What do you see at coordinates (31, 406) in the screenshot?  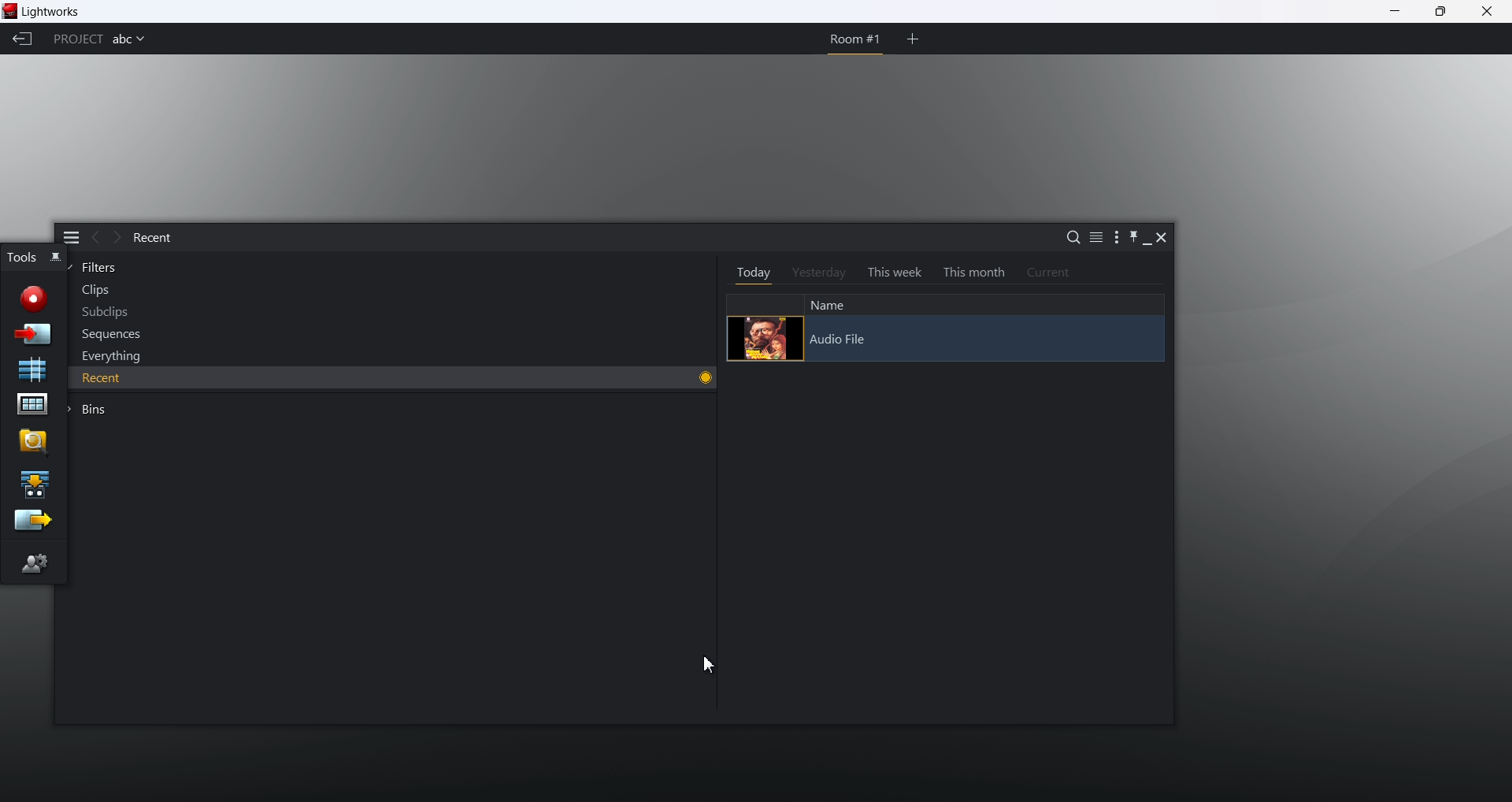 I see `project contents` at bounding box center [31, 406].